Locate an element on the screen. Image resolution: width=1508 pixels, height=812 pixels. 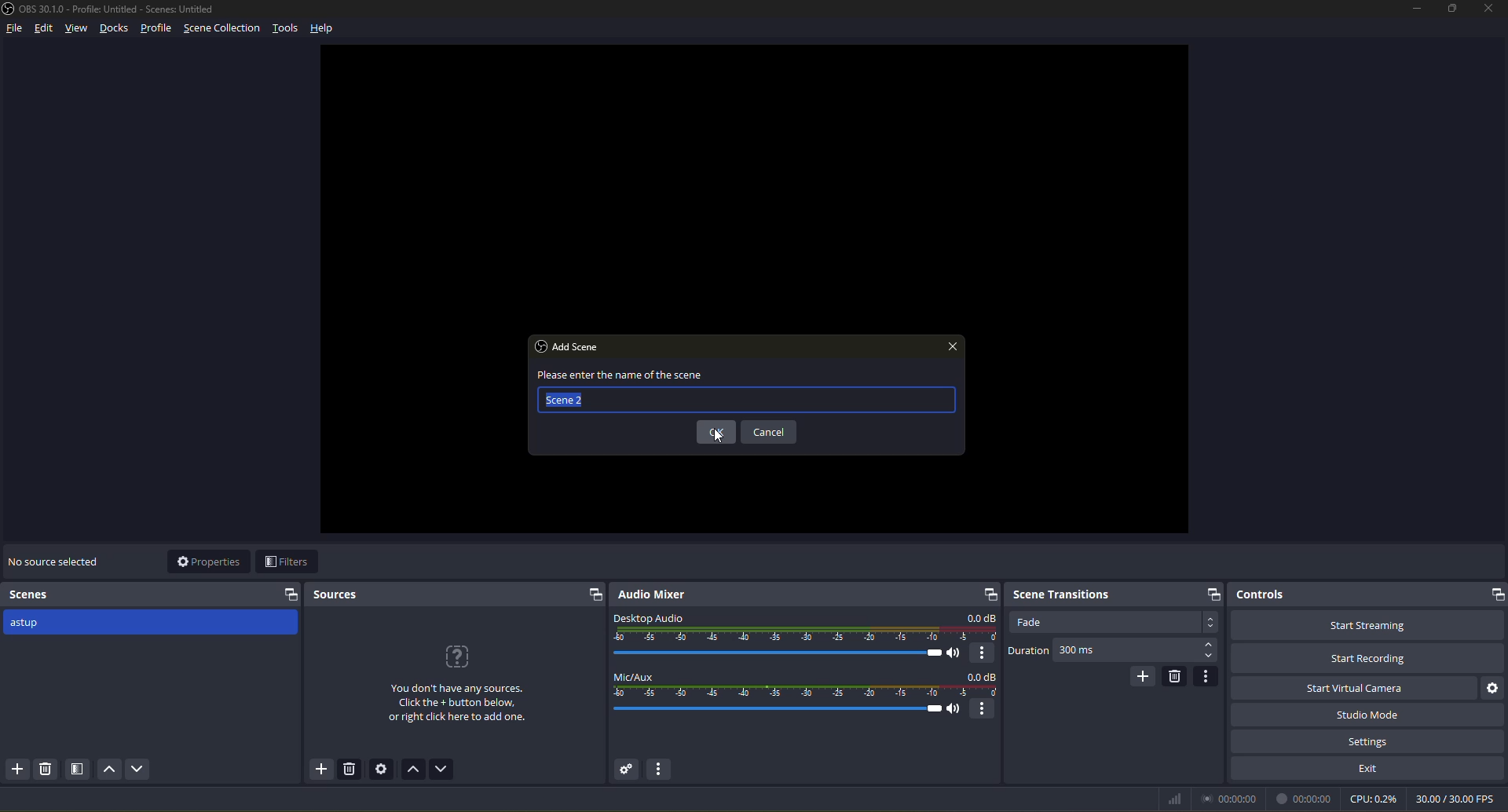
expand is located at coordinates (291, 595).